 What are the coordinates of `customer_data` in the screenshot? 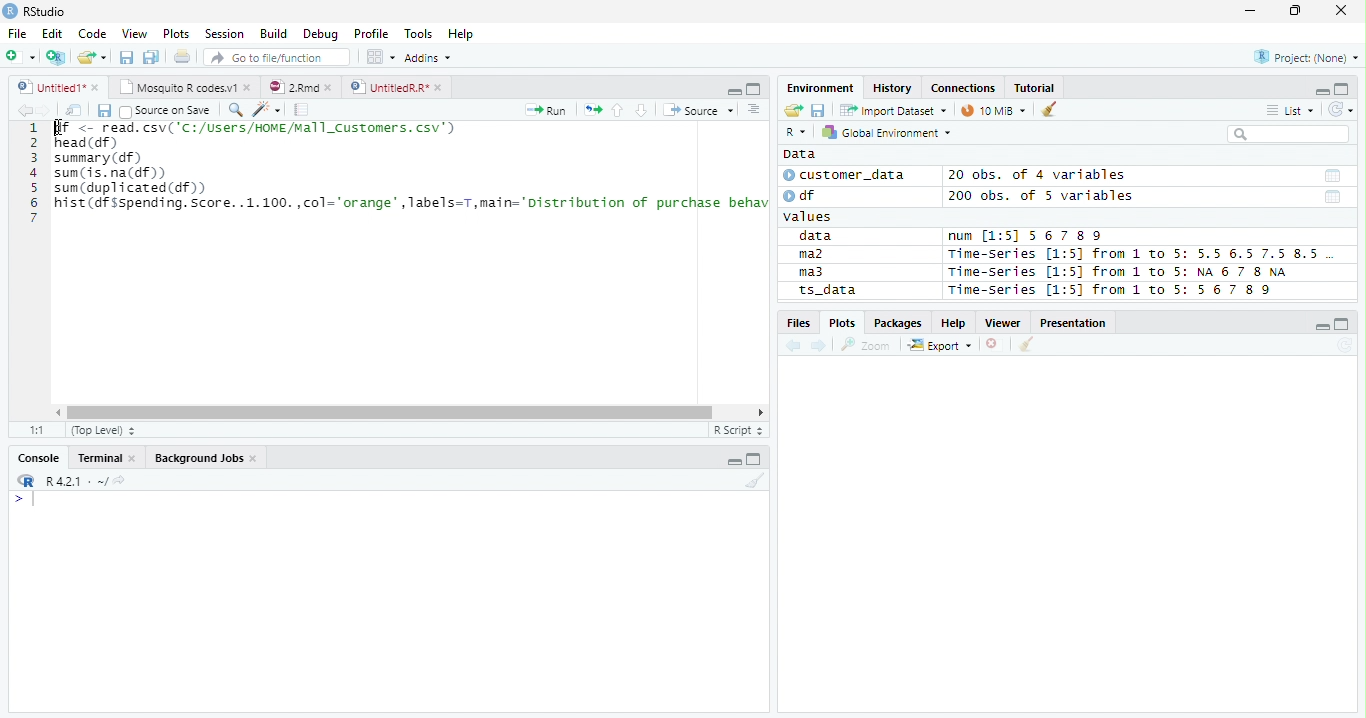 It's located at (848, 175).